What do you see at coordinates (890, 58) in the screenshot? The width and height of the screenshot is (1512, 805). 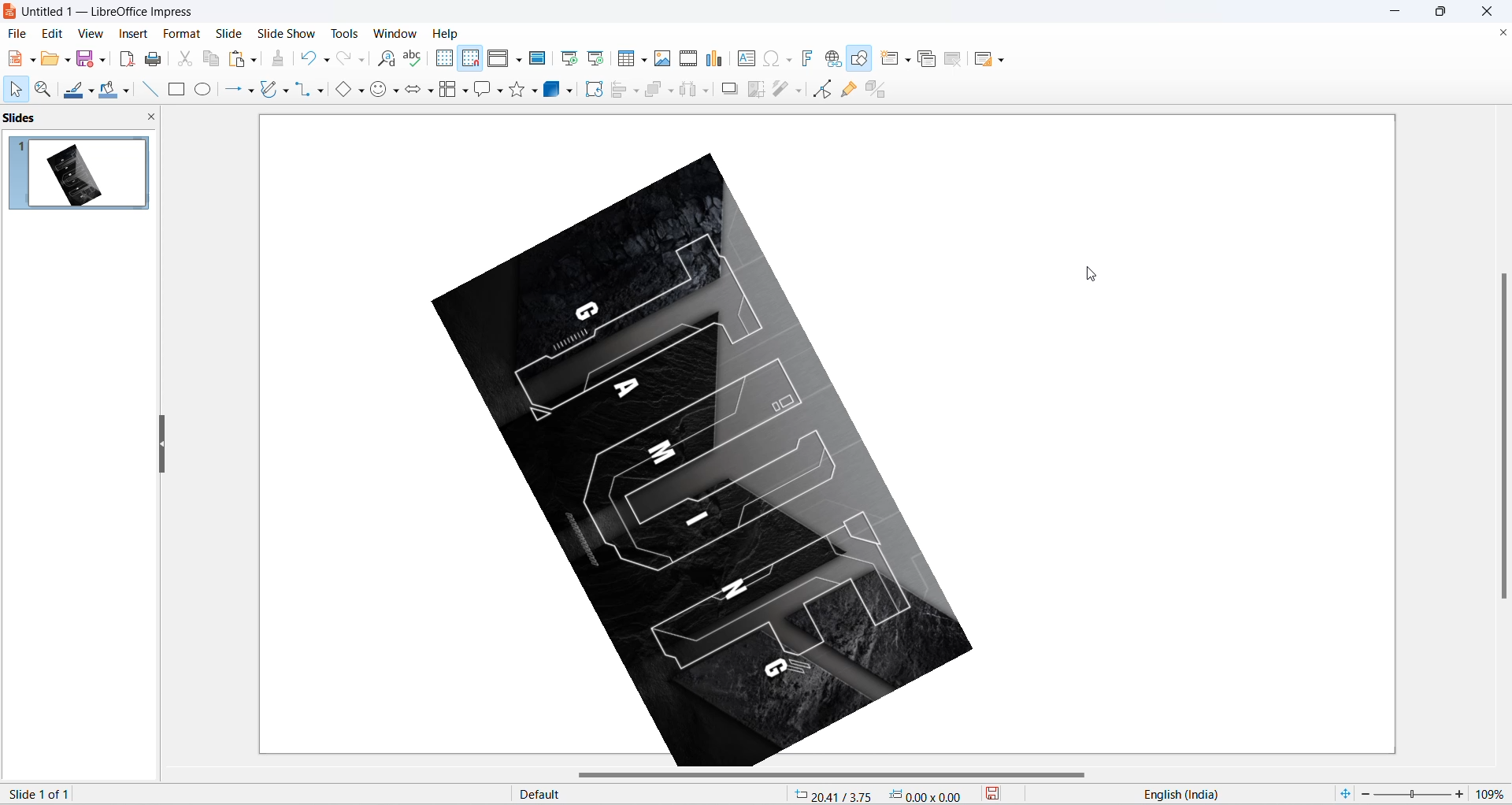 I see `new slide` at bounding box center [890, 58].